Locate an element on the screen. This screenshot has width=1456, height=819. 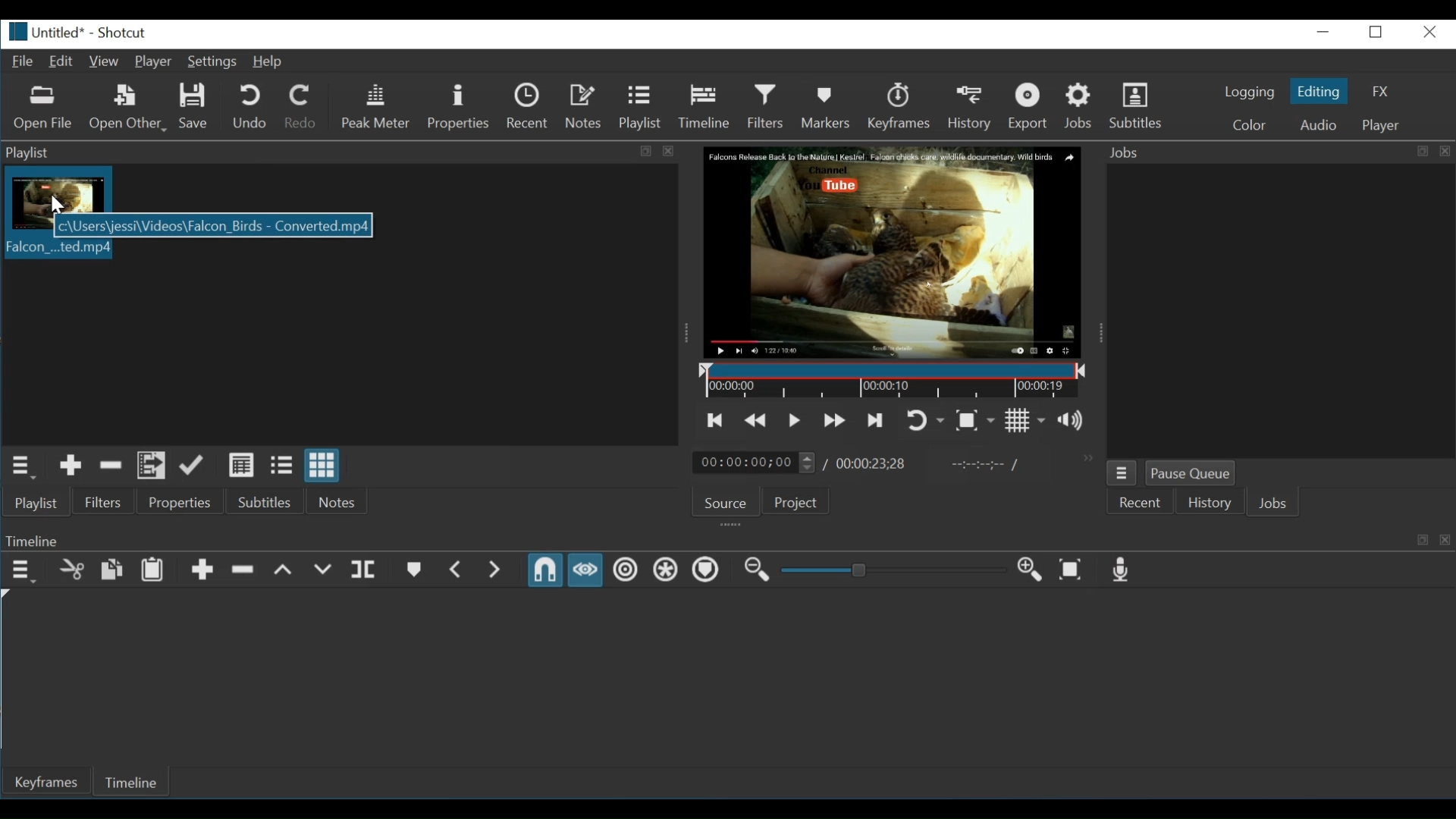
Timeline is located at coordinates (137, 780).